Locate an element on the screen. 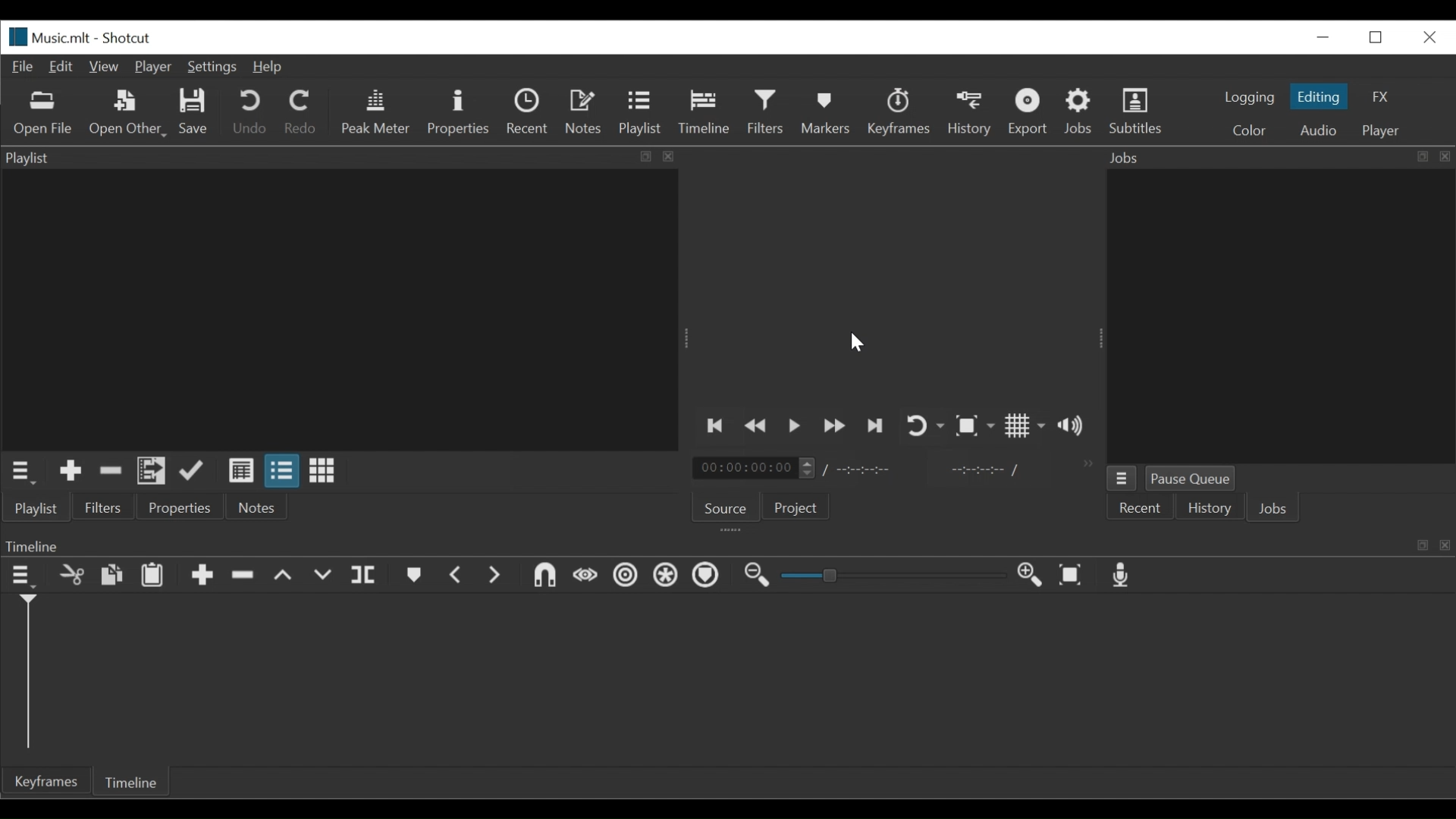 The height and width of the screenshot is (819, 1456). Filters is located at coordinates (104, 507).